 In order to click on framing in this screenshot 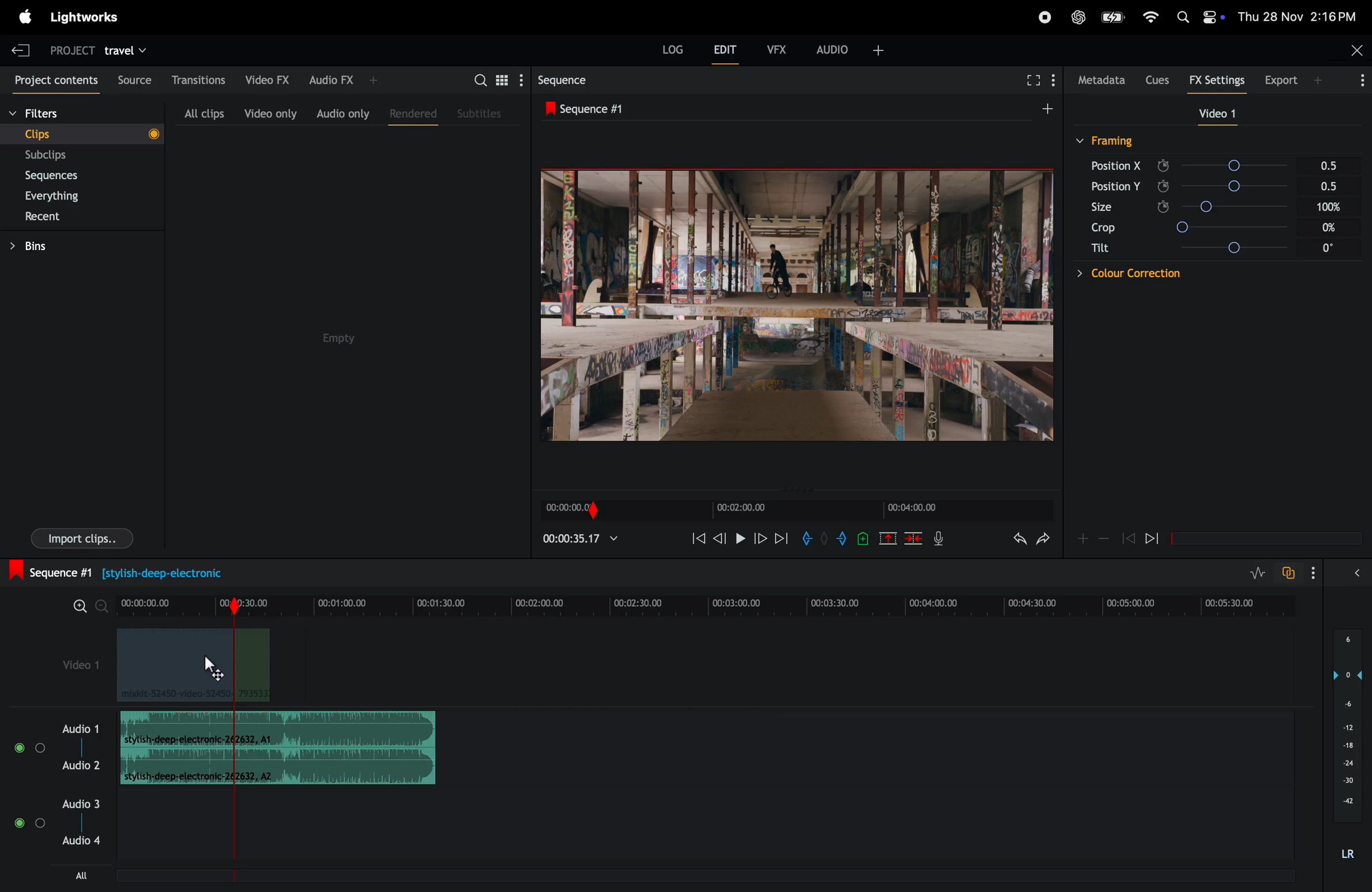, I will do `click(1107, 140)`.